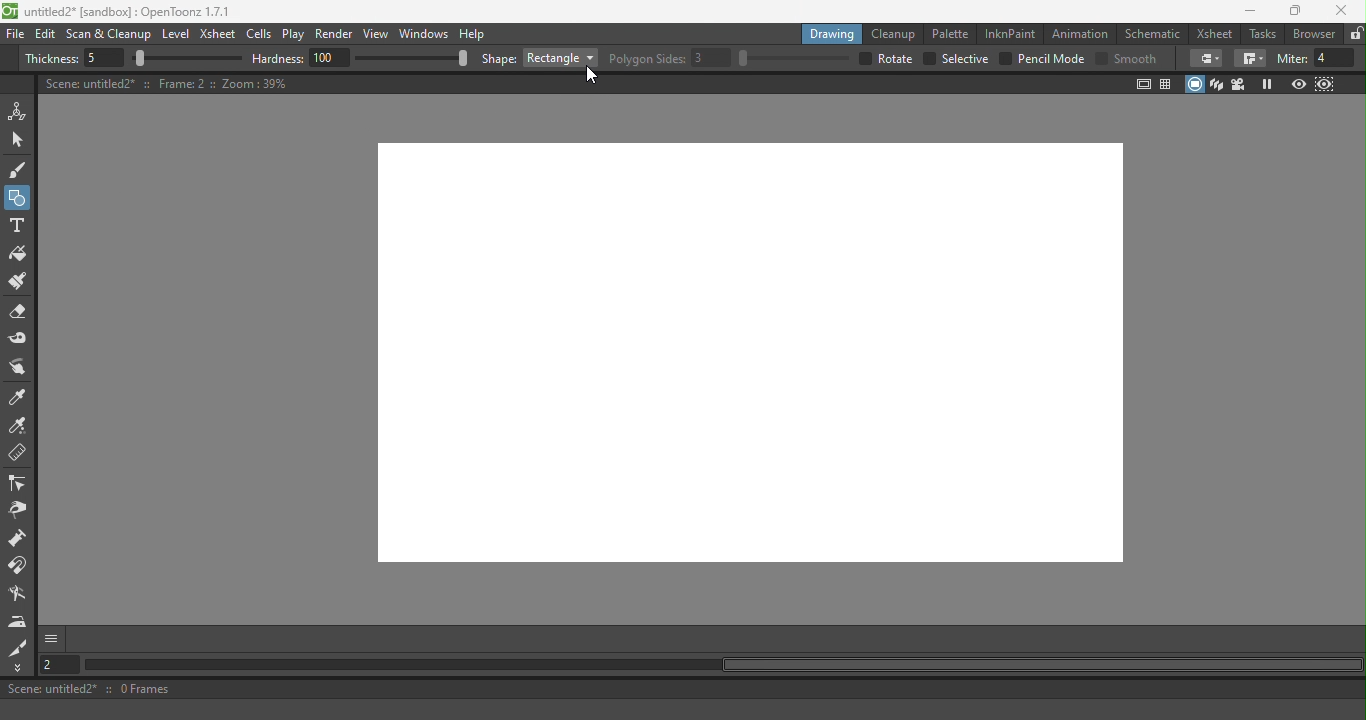 The width and height of the screenshot is (1366, 720). I want to click on Cells, so click(258, 33).